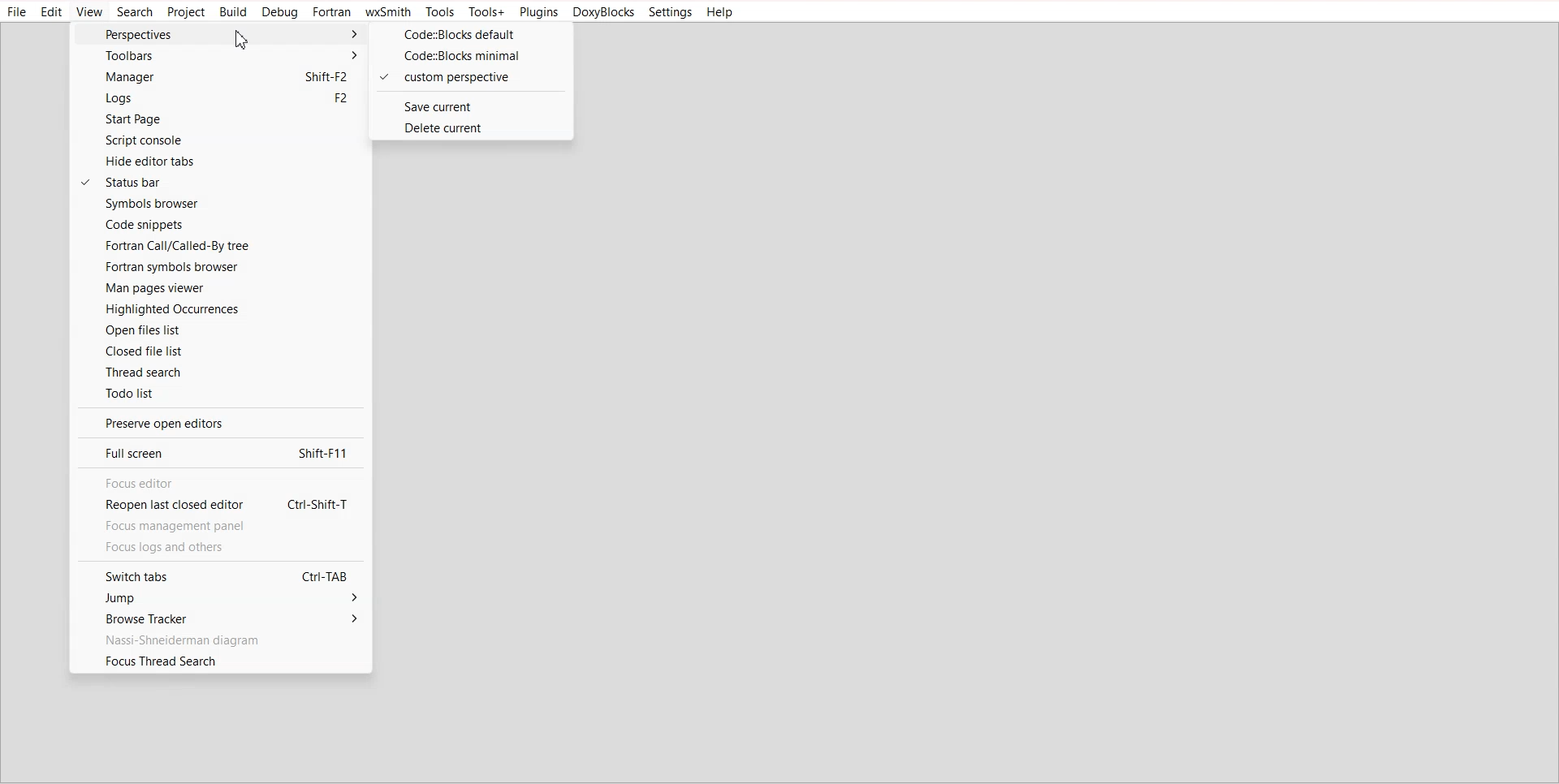  I want to click on Browse Tracker, so click(217, 618).